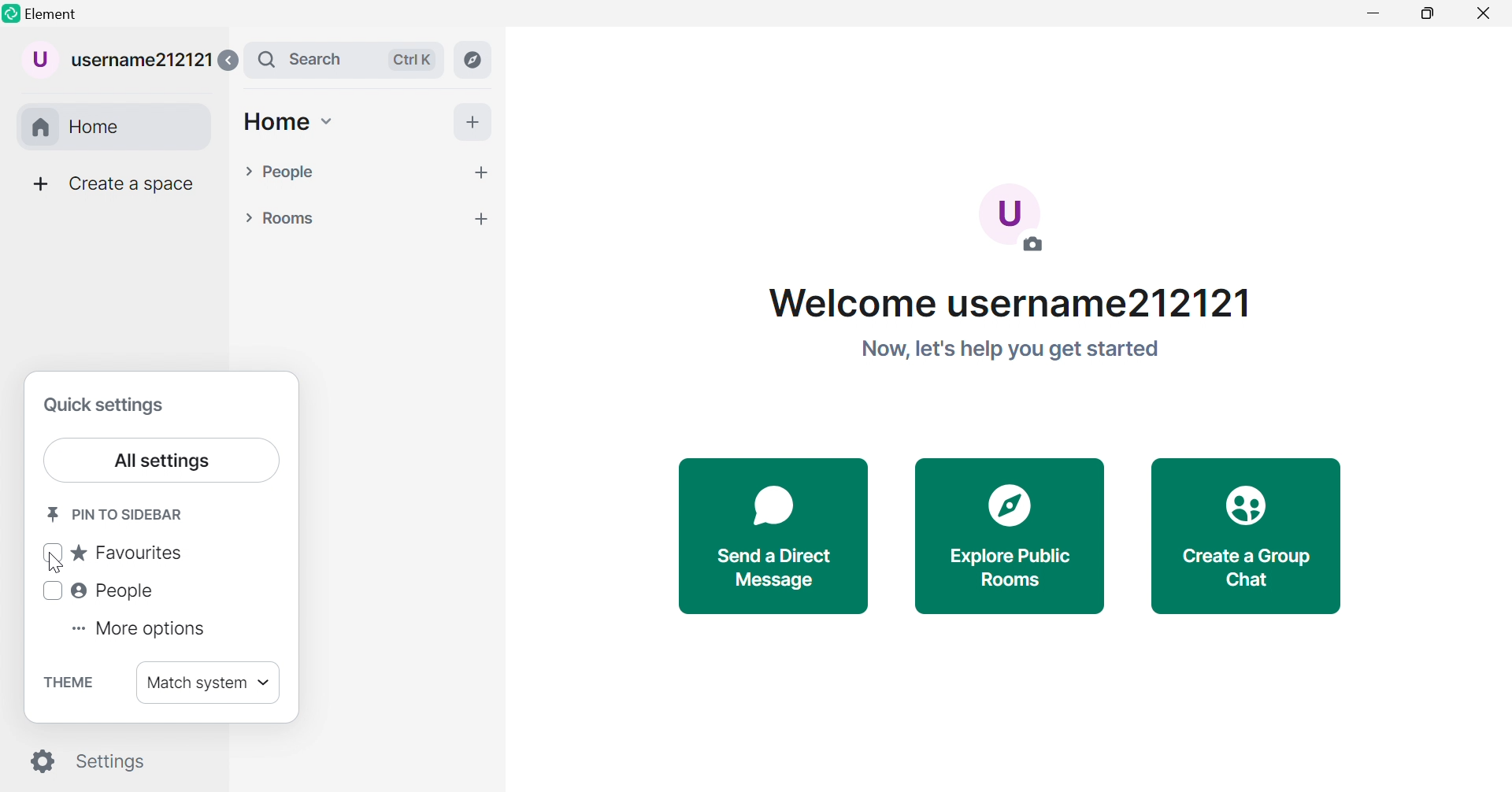 The image size is (1512, 792). Describe the element at coordinates (119, 128) in the screenshot. I see `Home` at that location.